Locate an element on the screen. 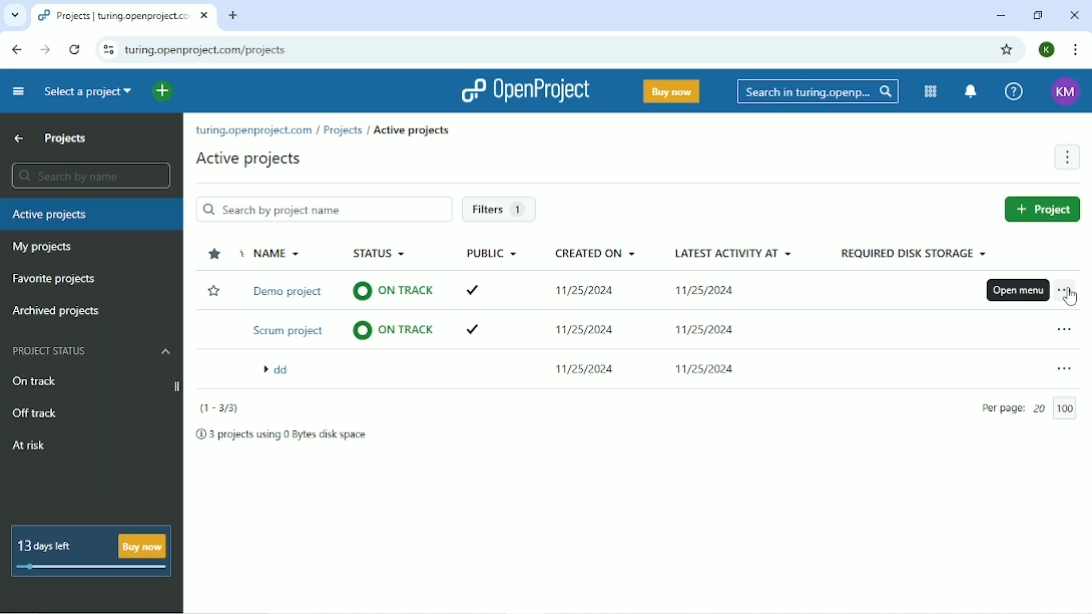 The image size is (1092, 614). Created on is located at coordinates (597, 254).